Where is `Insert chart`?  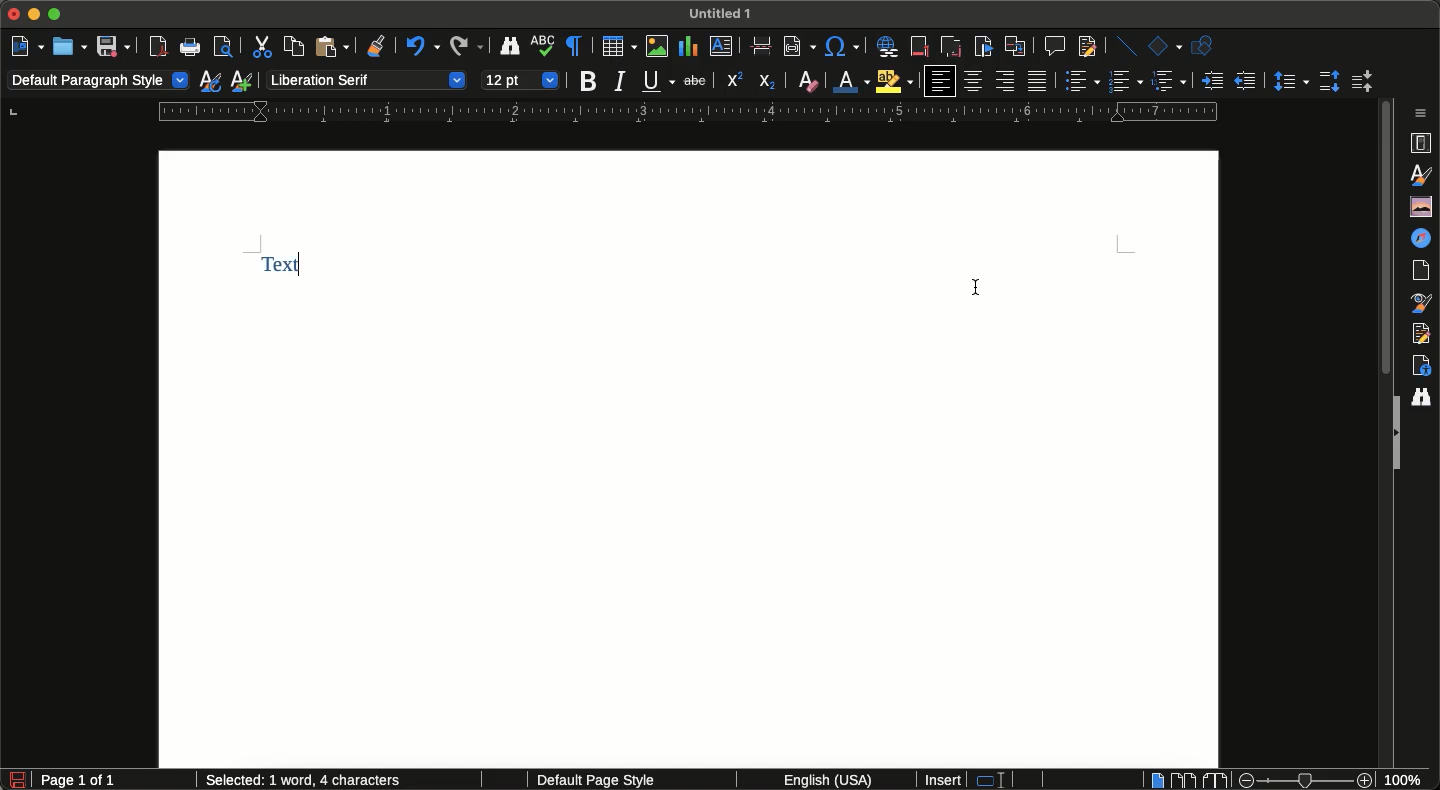
Insert chart is located at coordinates (688, 46).